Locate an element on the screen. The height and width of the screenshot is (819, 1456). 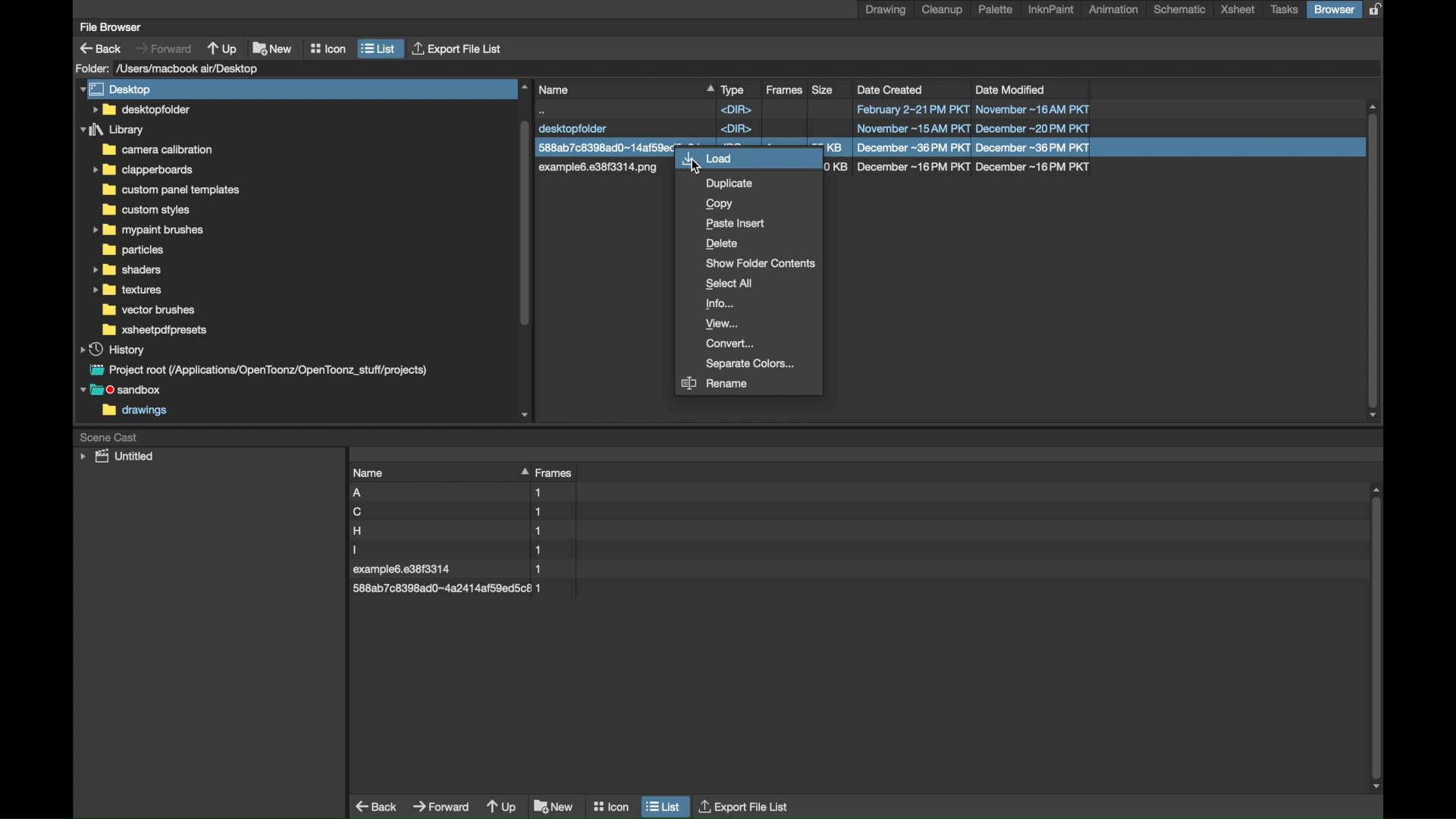
file is located at coordinates (449, 512).